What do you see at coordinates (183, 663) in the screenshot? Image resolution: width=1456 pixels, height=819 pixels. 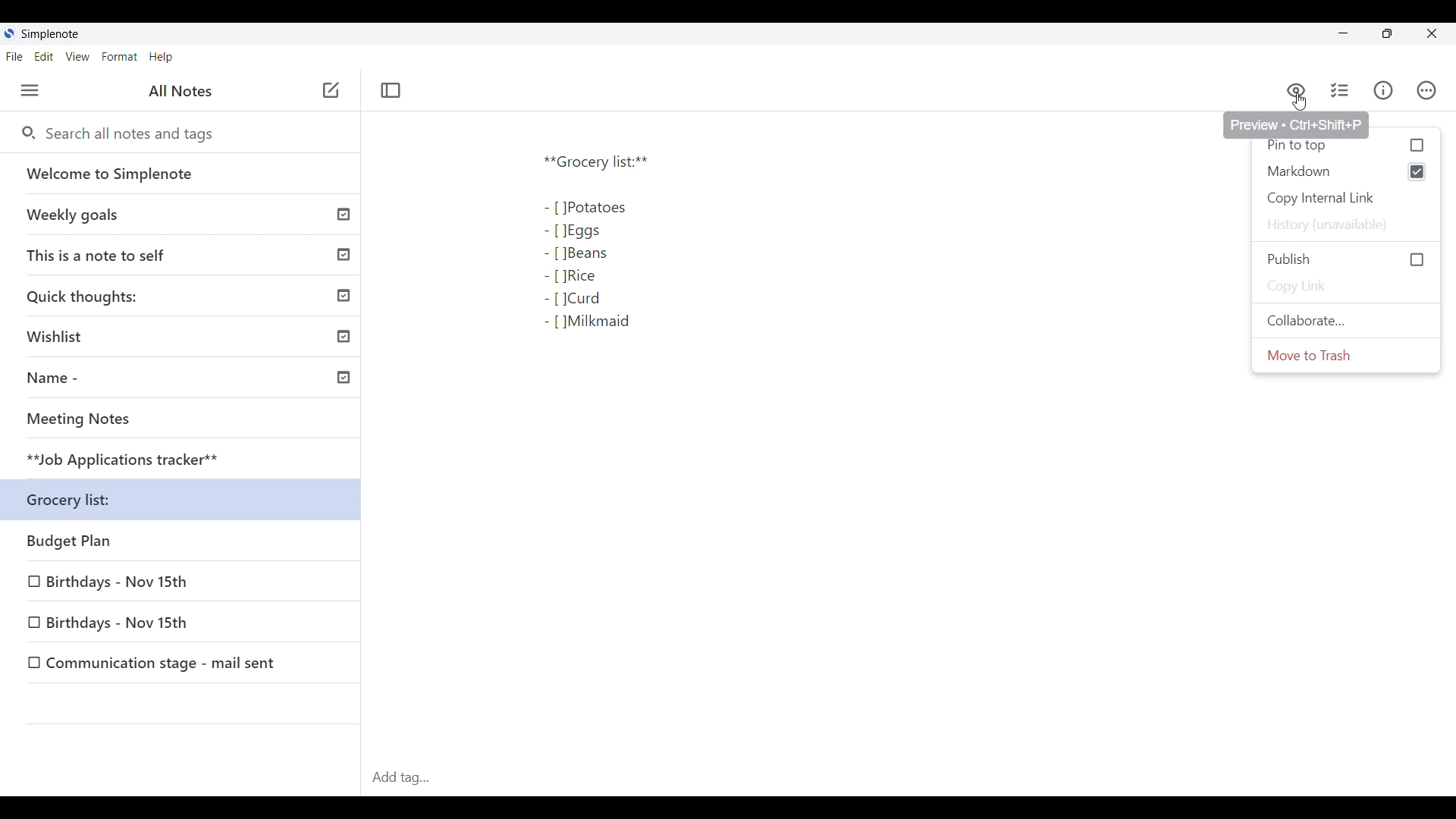 I see `Communication stage - mail sent` at bounding box center [183, 663].